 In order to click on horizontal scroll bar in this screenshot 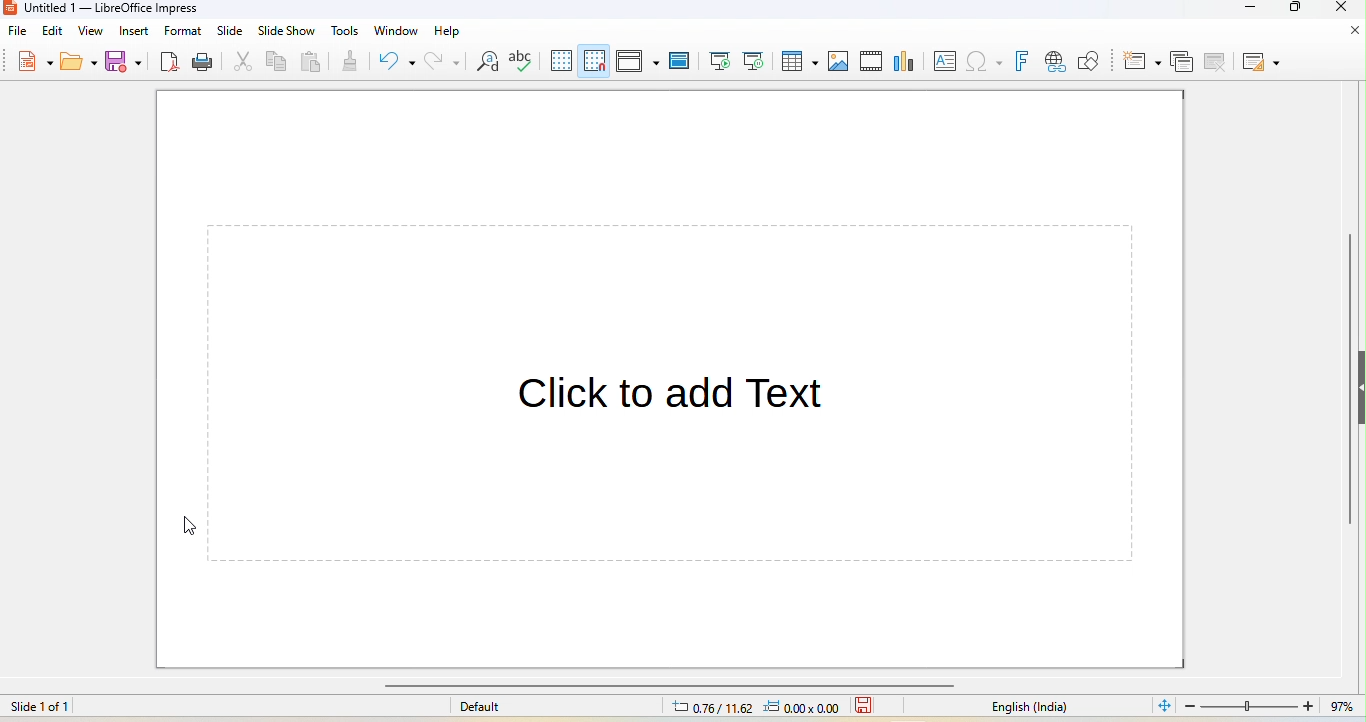, I will do `click(667, 686)`.